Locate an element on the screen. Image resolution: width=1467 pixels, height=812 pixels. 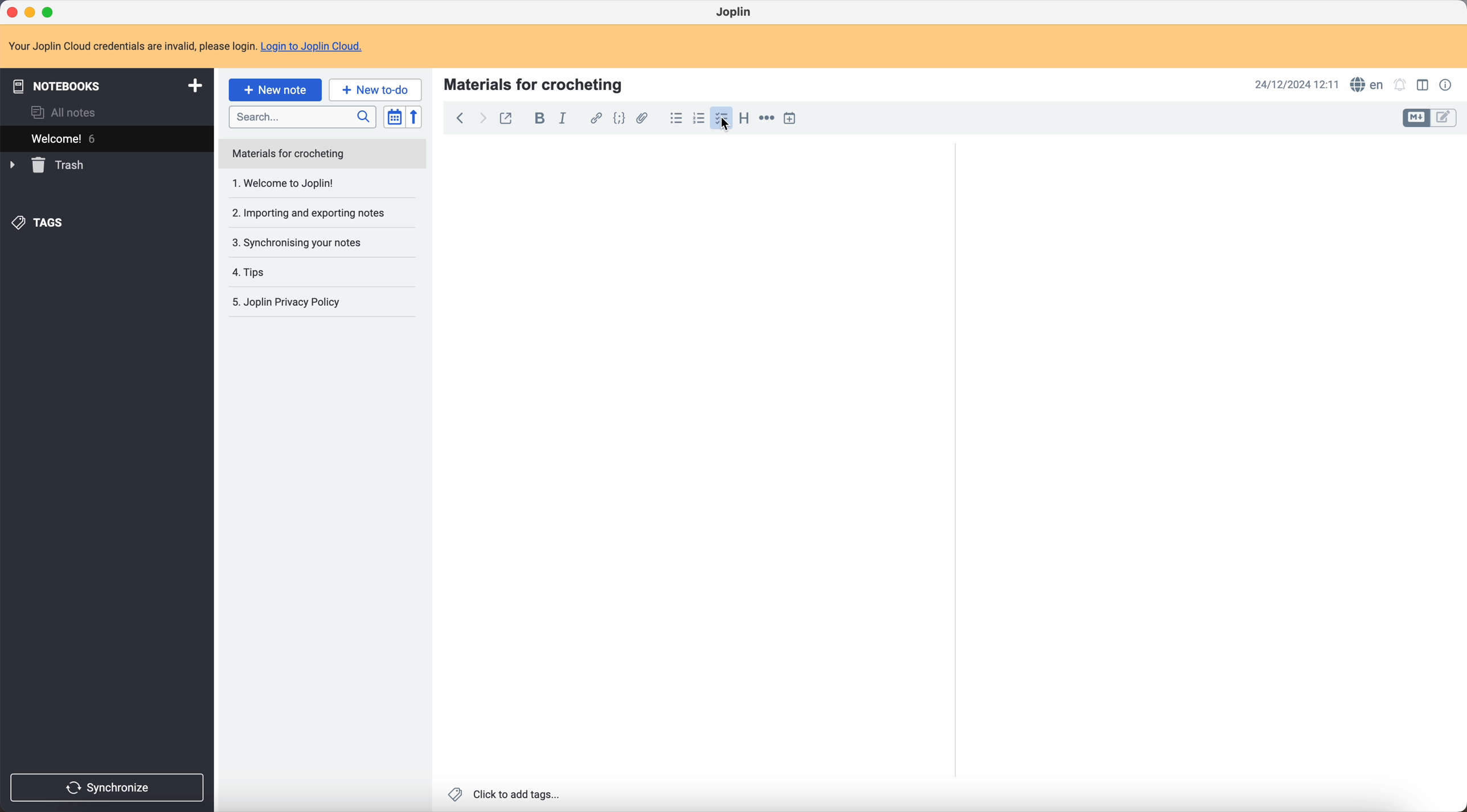
Joplin privacy policy is located at coordinates (293, 304).